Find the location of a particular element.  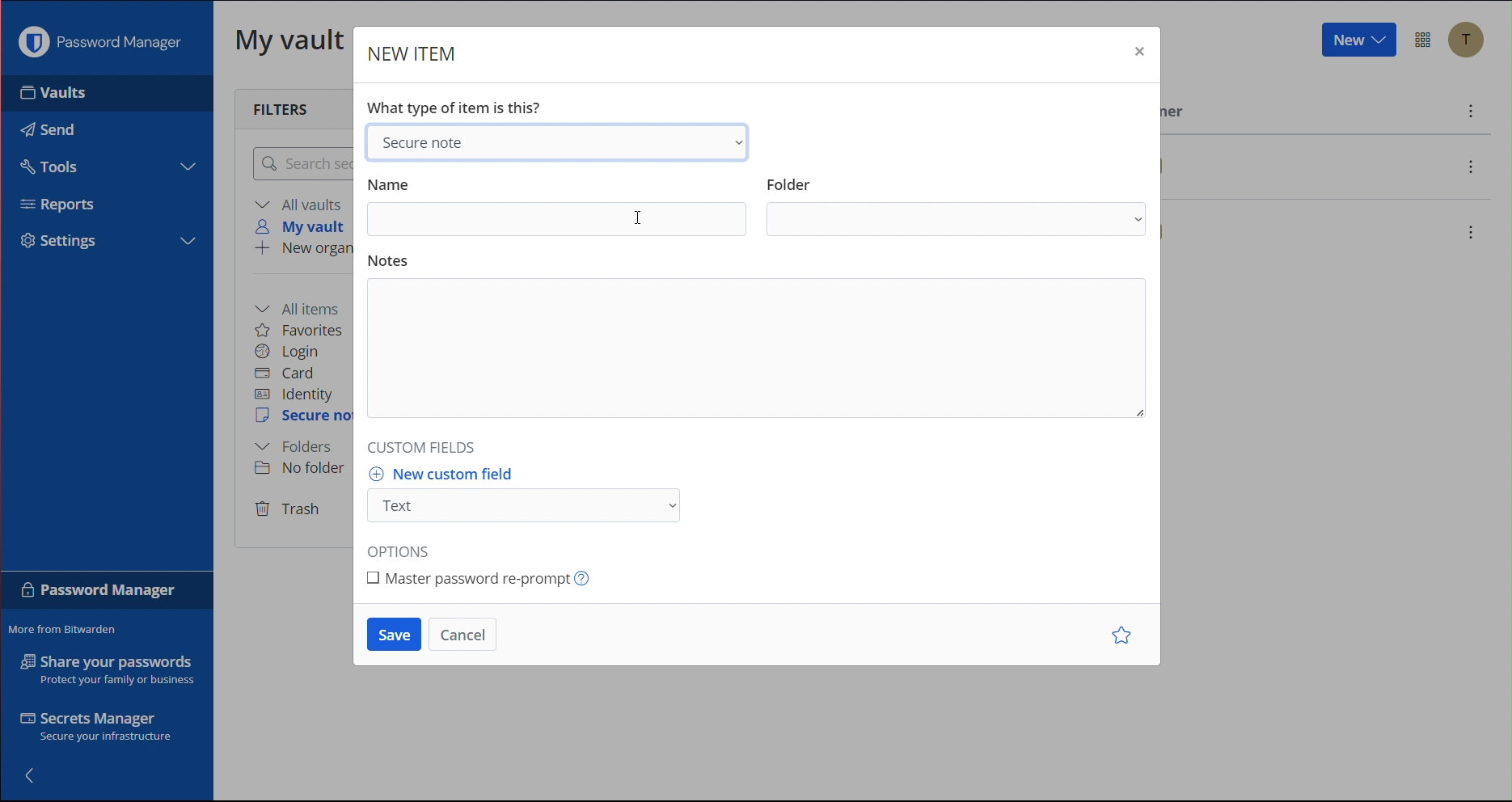

Options is located at coordinates (400, 549).